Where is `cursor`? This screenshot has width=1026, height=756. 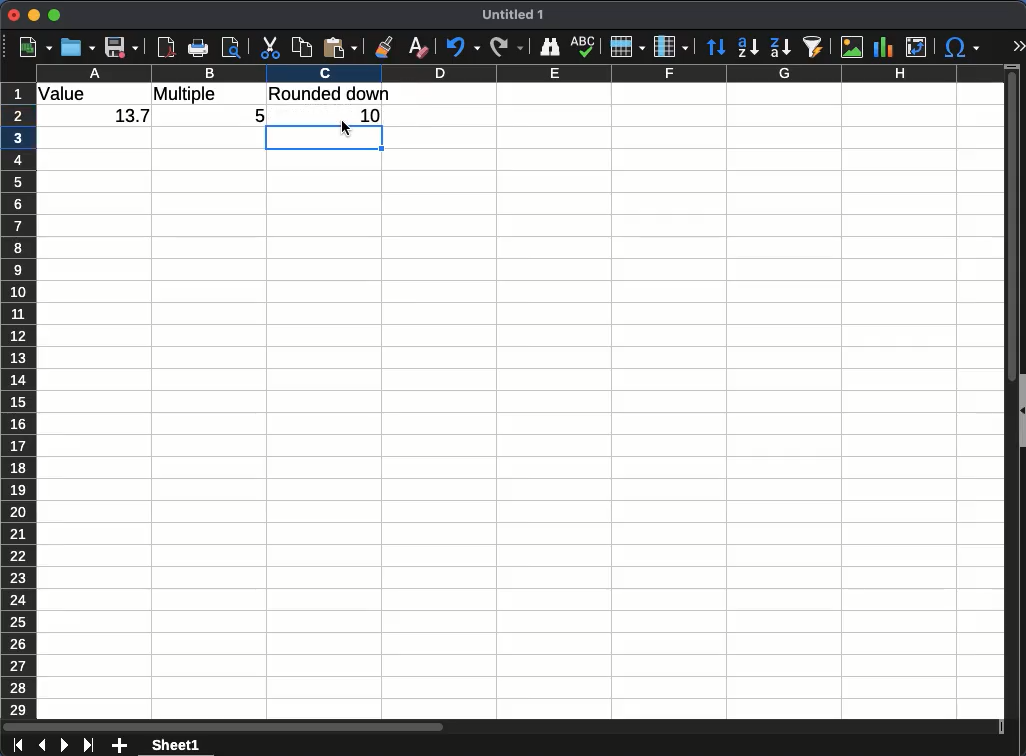 cursor is located at coordinates (346, 127).